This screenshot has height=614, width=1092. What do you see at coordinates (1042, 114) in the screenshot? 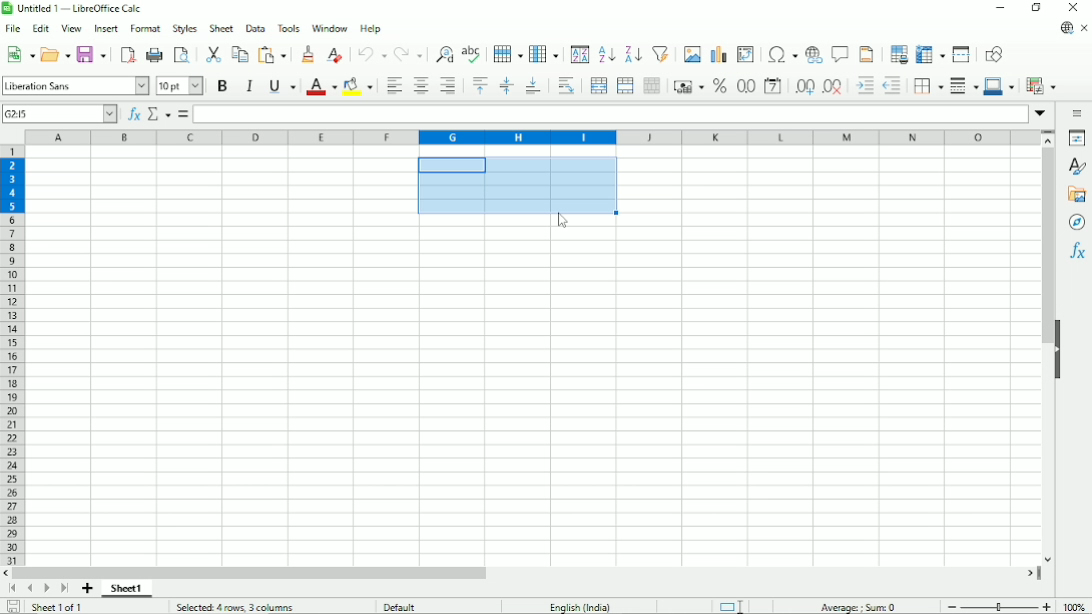
I see `Expand formula bar` at bounding box center [1042, 114].